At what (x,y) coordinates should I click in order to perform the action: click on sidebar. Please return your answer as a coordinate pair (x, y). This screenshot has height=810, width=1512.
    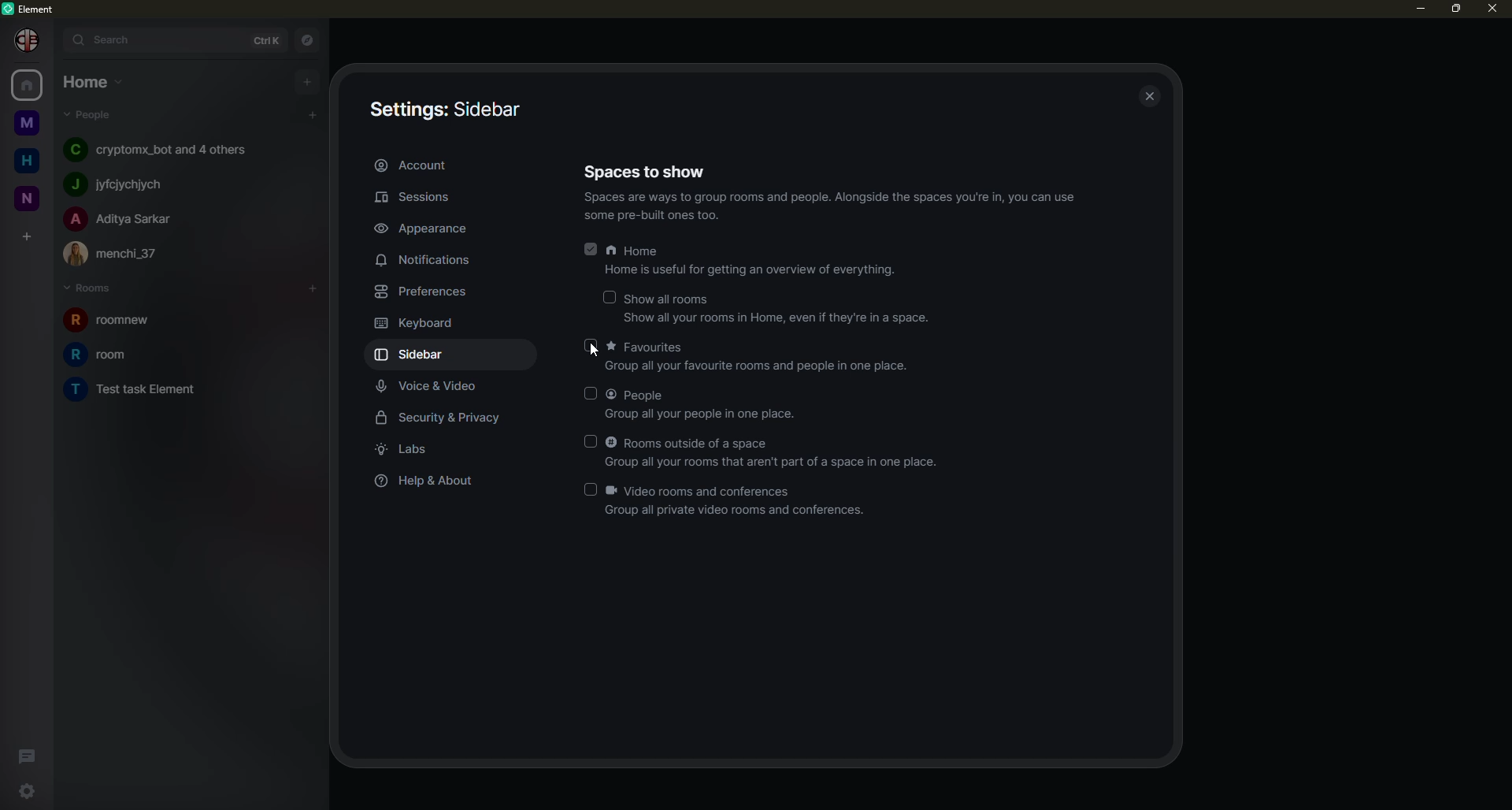
    Looking at the image, I should click on (425, 355).